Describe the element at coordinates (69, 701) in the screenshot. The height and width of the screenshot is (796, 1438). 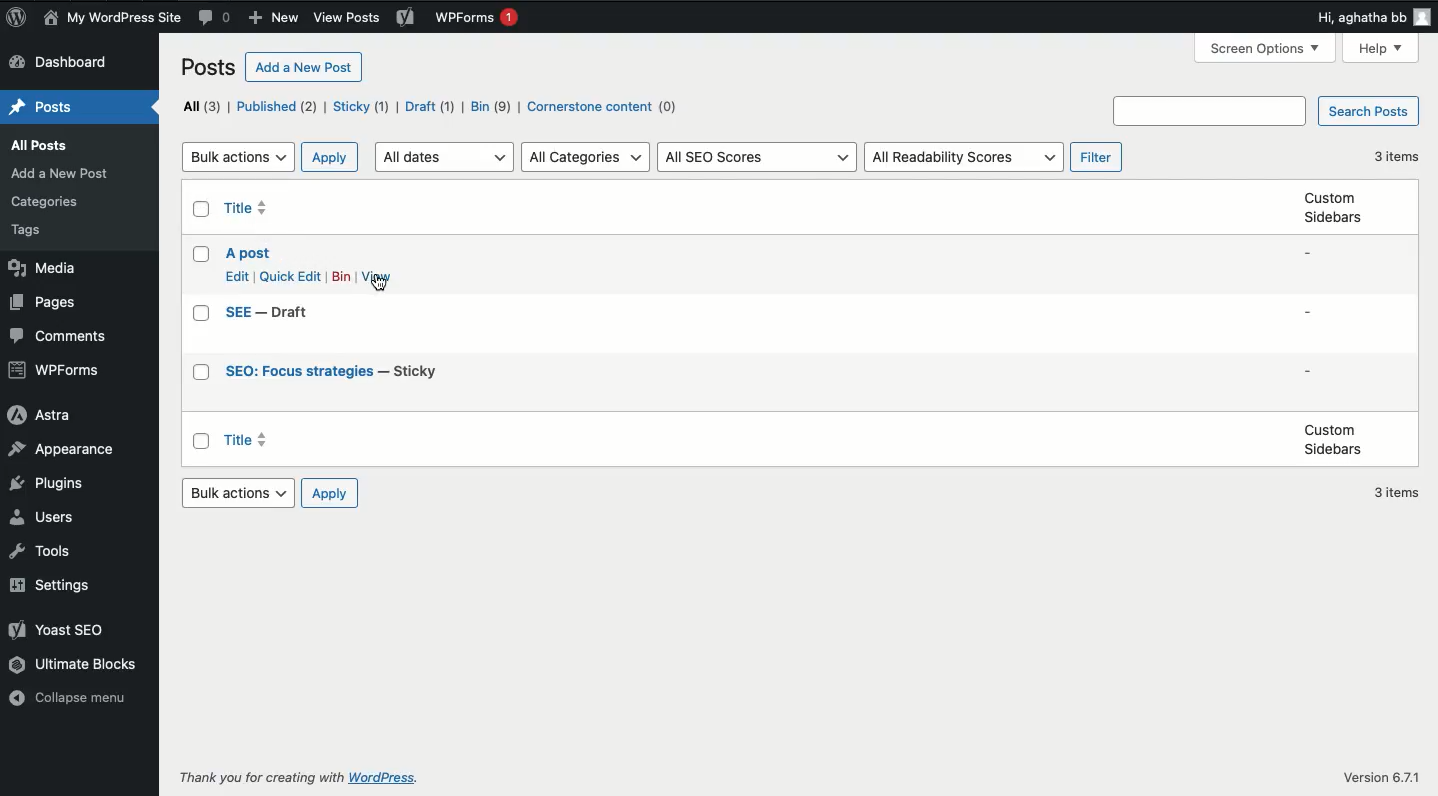
I see `Collapse menu` at that location.